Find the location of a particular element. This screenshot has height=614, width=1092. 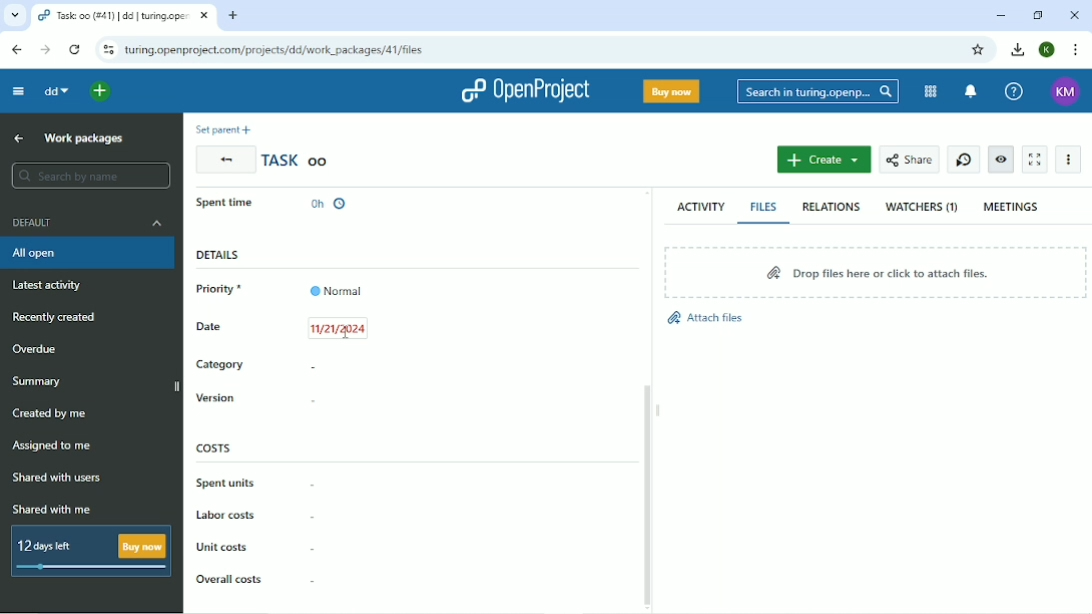

Set parent is located at coordinates (222, 129).